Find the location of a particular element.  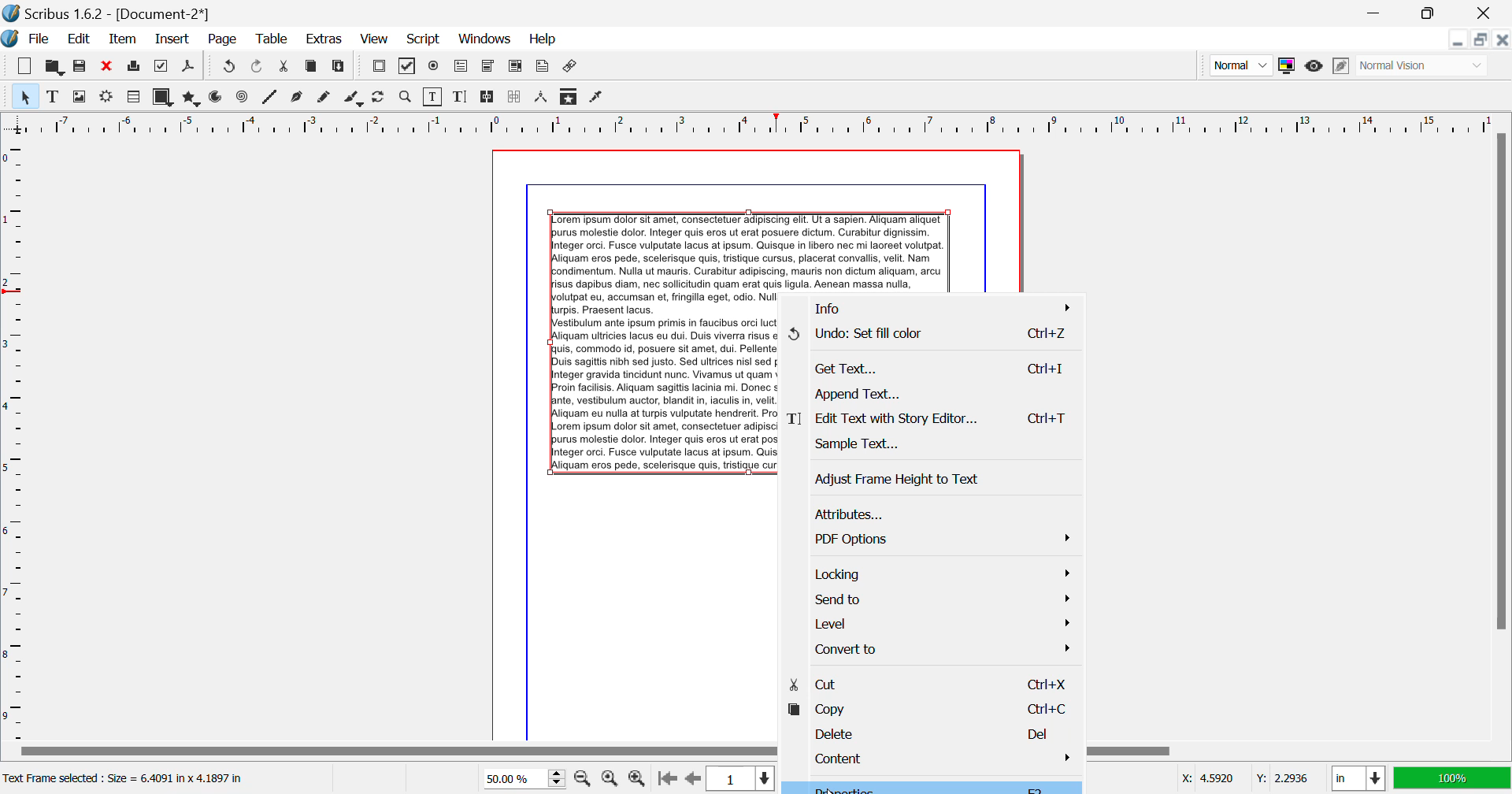

Arcs is located at coordinates (217, 98).